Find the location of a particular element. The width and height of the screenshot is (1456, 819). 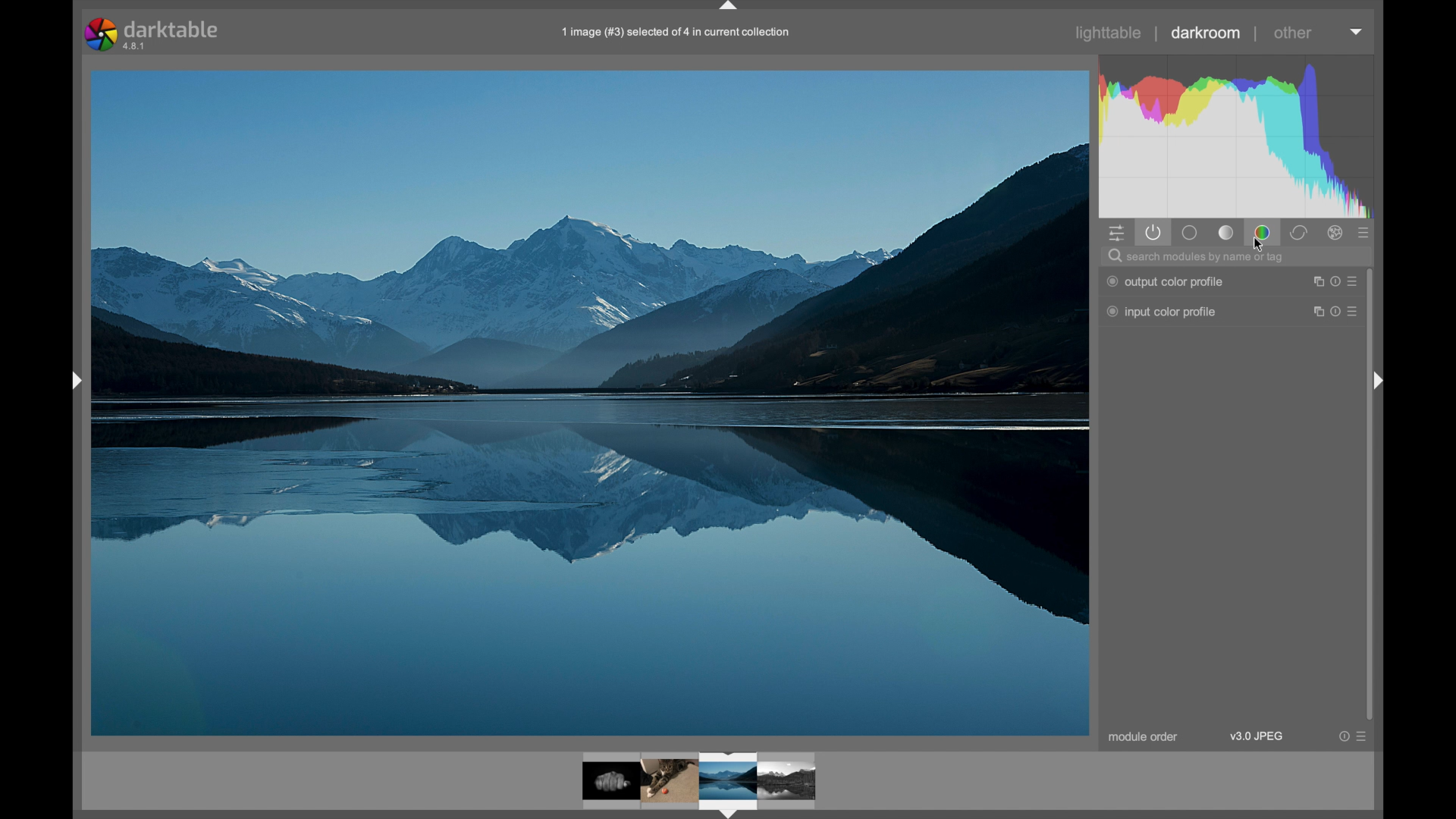

drag handle is located at coordinates (728, 8).